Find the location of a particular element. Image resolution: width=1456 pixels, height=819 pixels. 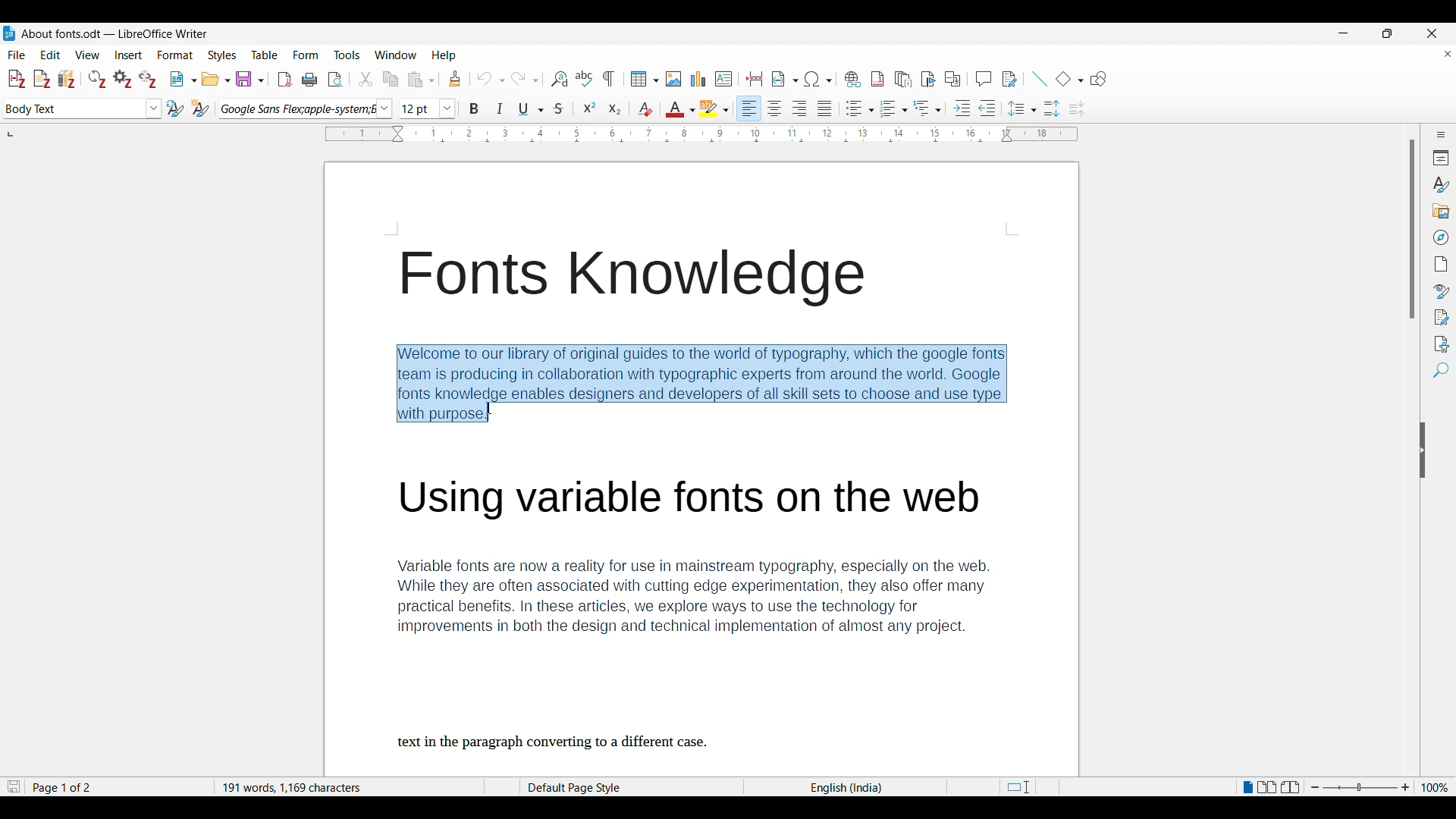

Styles is located at coordinates (1441, 184).